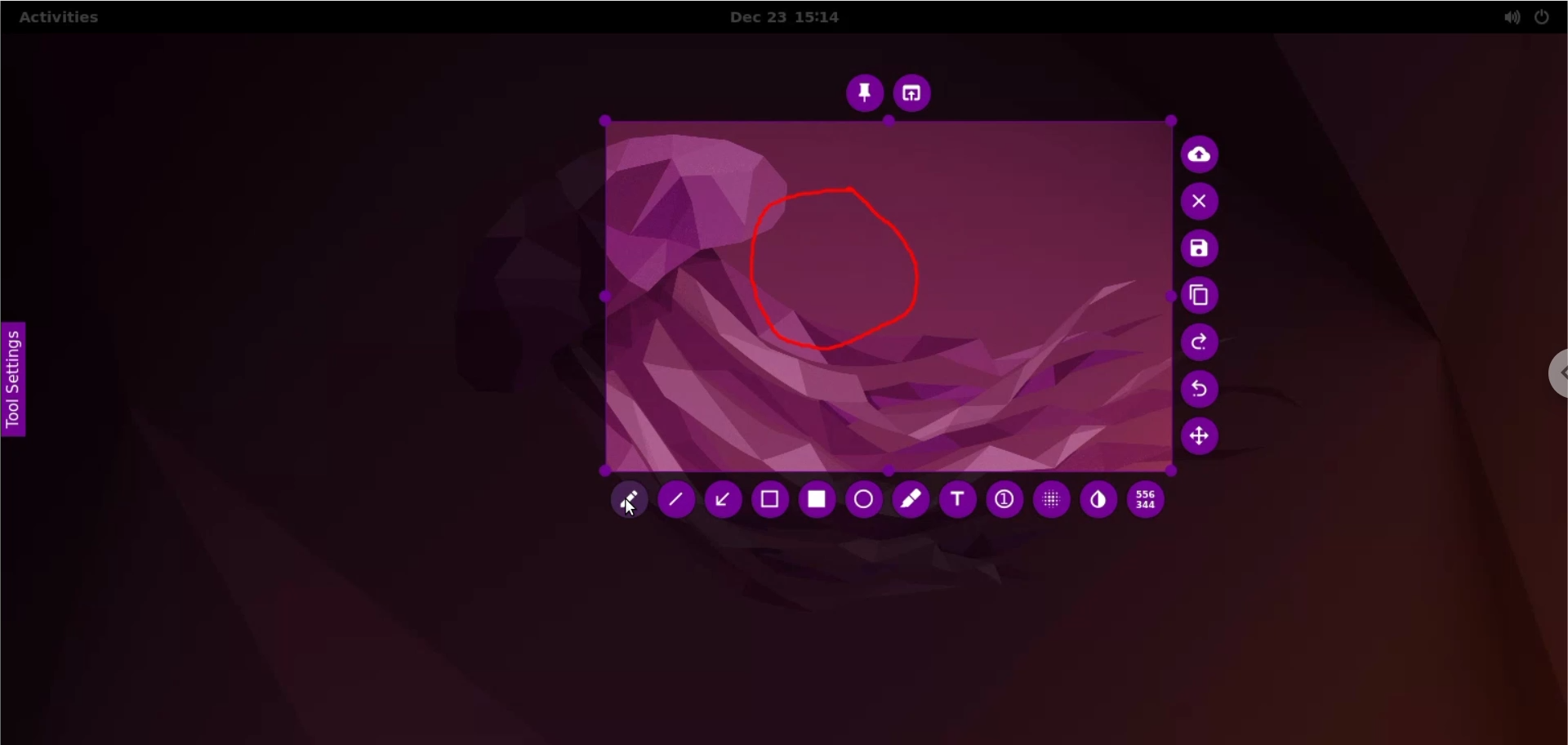 This screenshot has height=745, width=1568. Describe the element at coordinates (1545, 372) in the screenshot. I see `chrome options` at that location.